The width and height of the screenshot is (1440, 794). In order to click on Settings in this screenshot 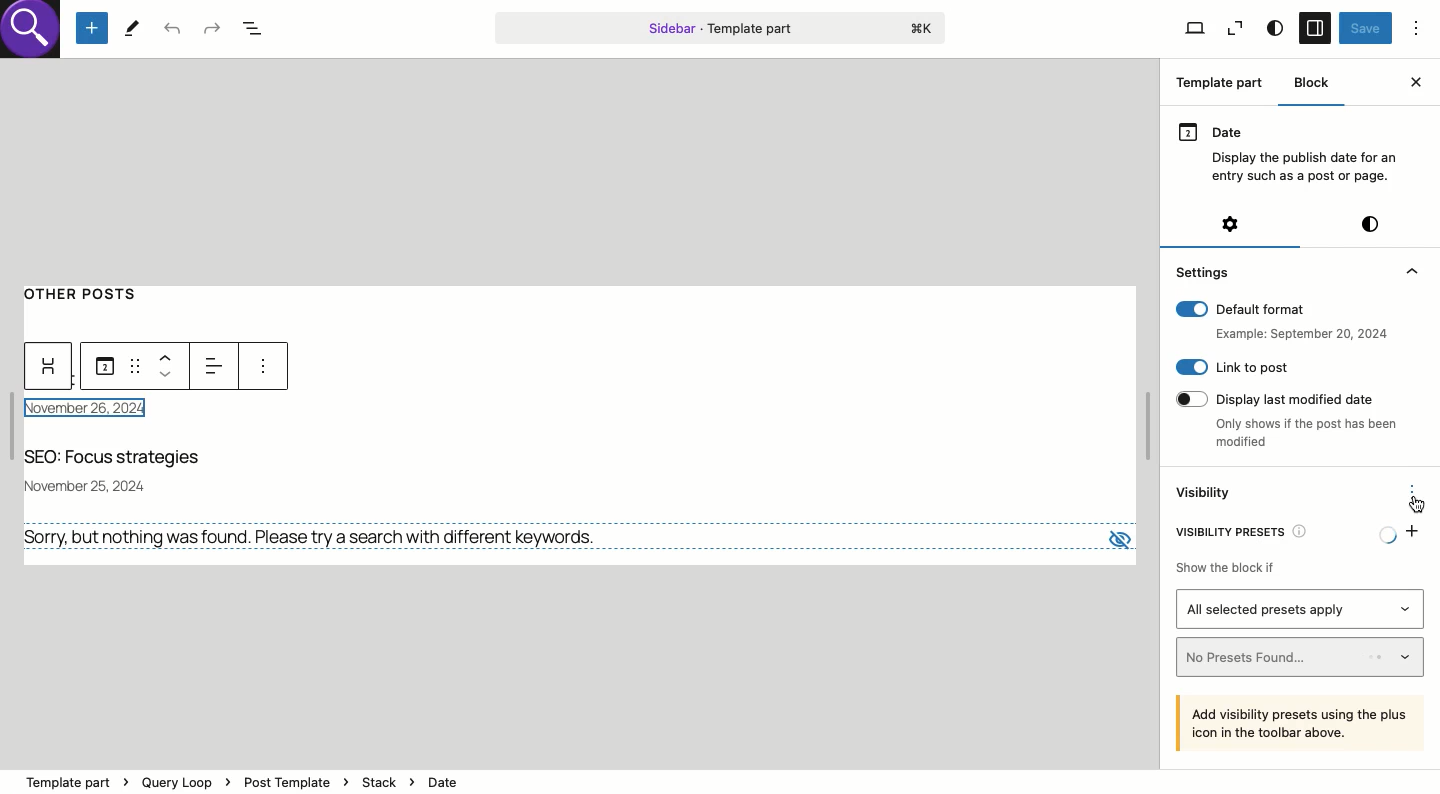, I will do `click(1205, 271)`.